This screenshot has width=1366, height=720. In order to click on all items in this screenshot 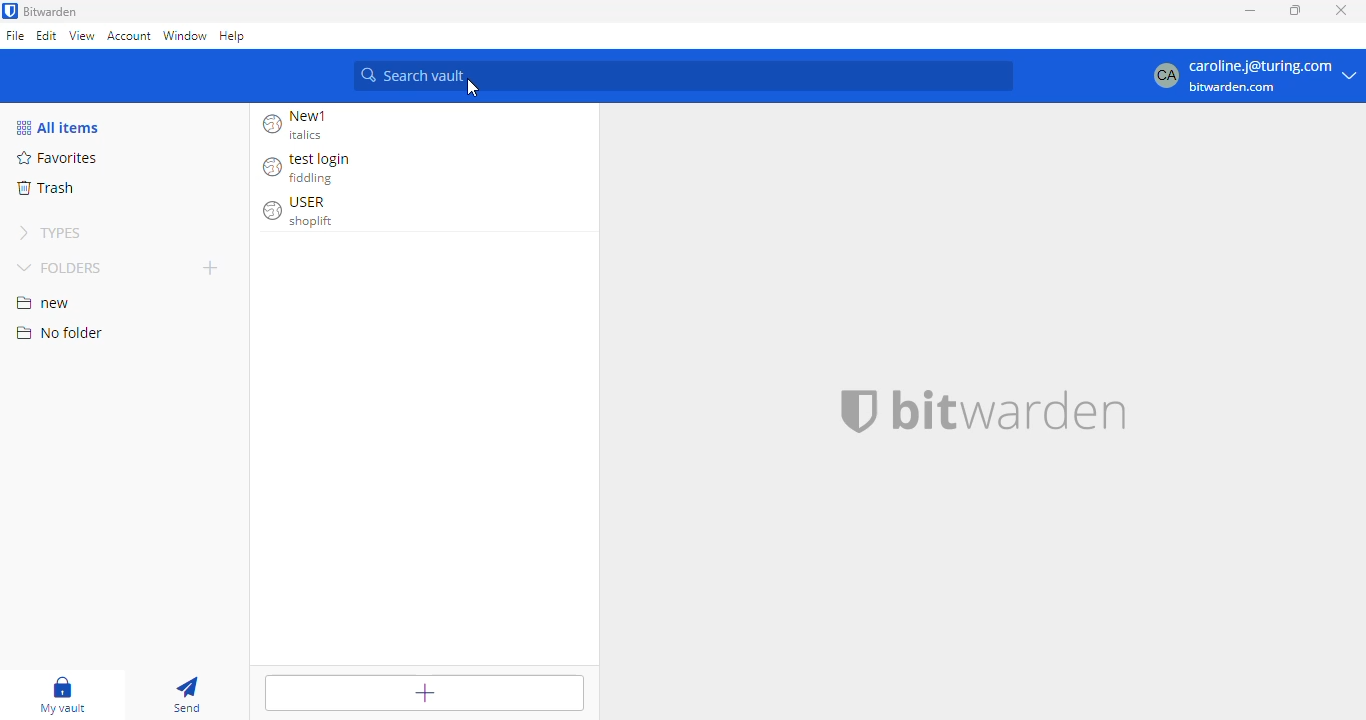, I will do `click(58, 128)`.